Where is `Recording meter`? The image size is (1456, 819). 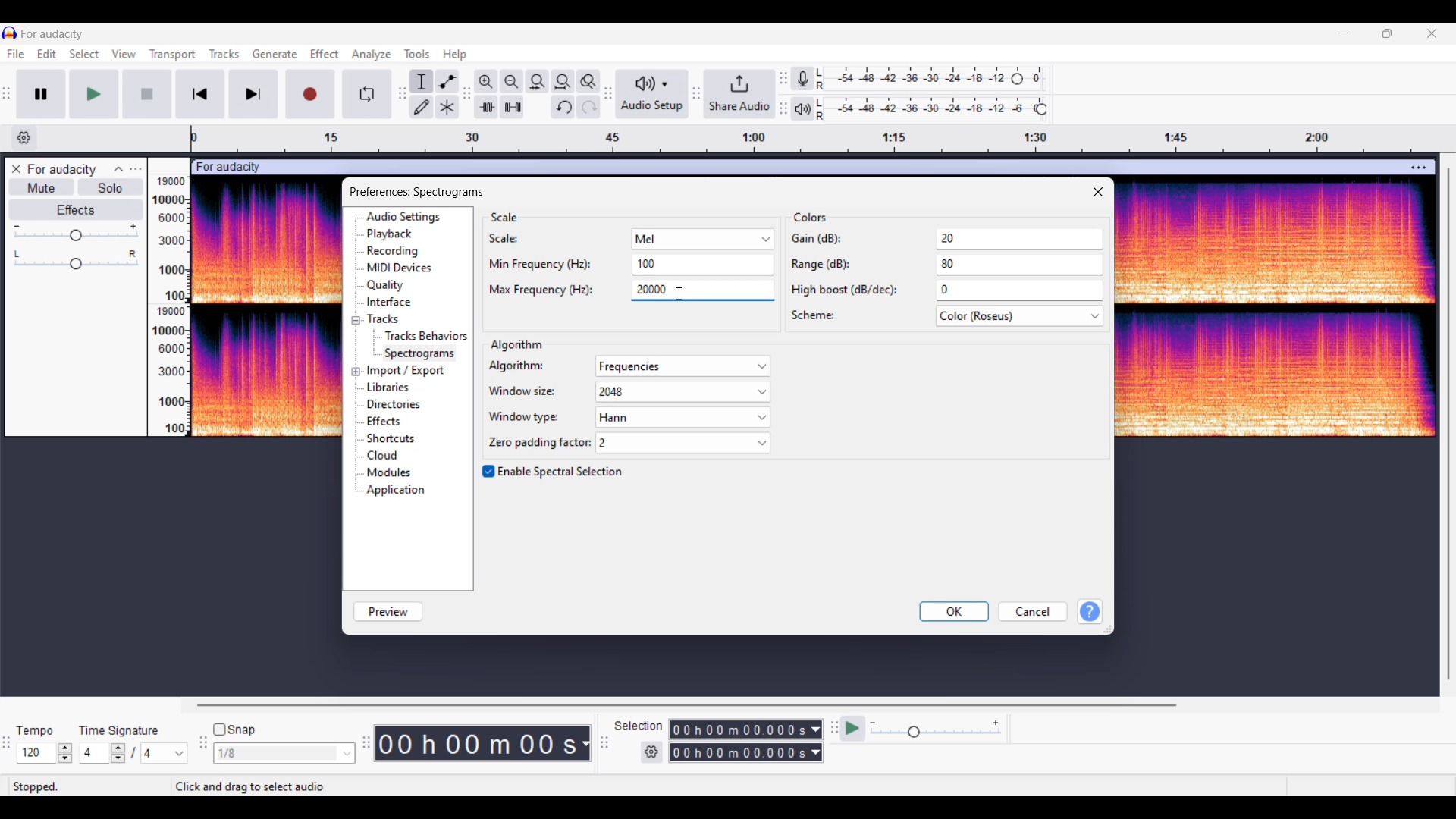
Recording meter is located at coordinates (802, 78).